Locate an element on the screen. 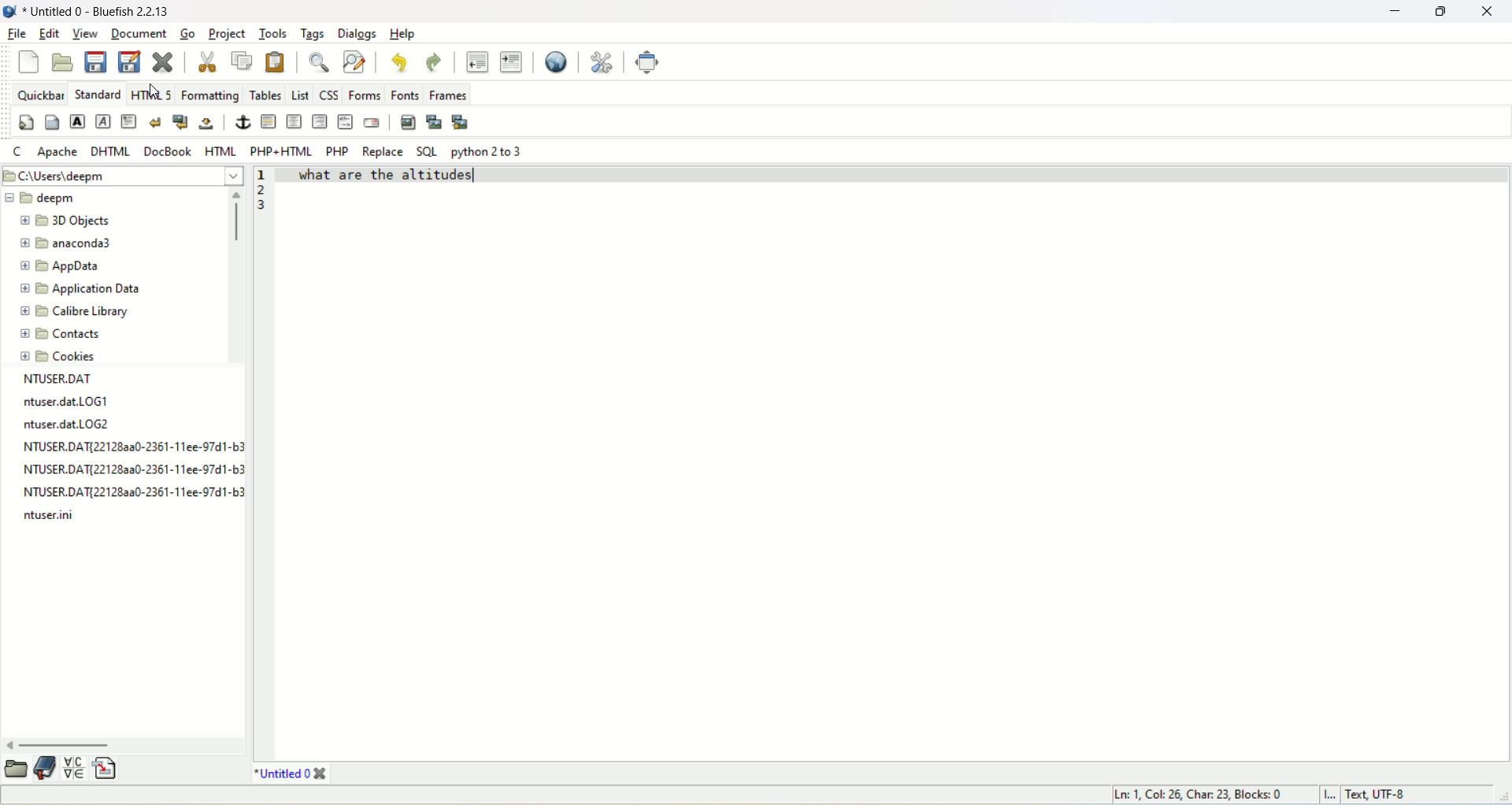  PHP is located at coordinates (339, 150).